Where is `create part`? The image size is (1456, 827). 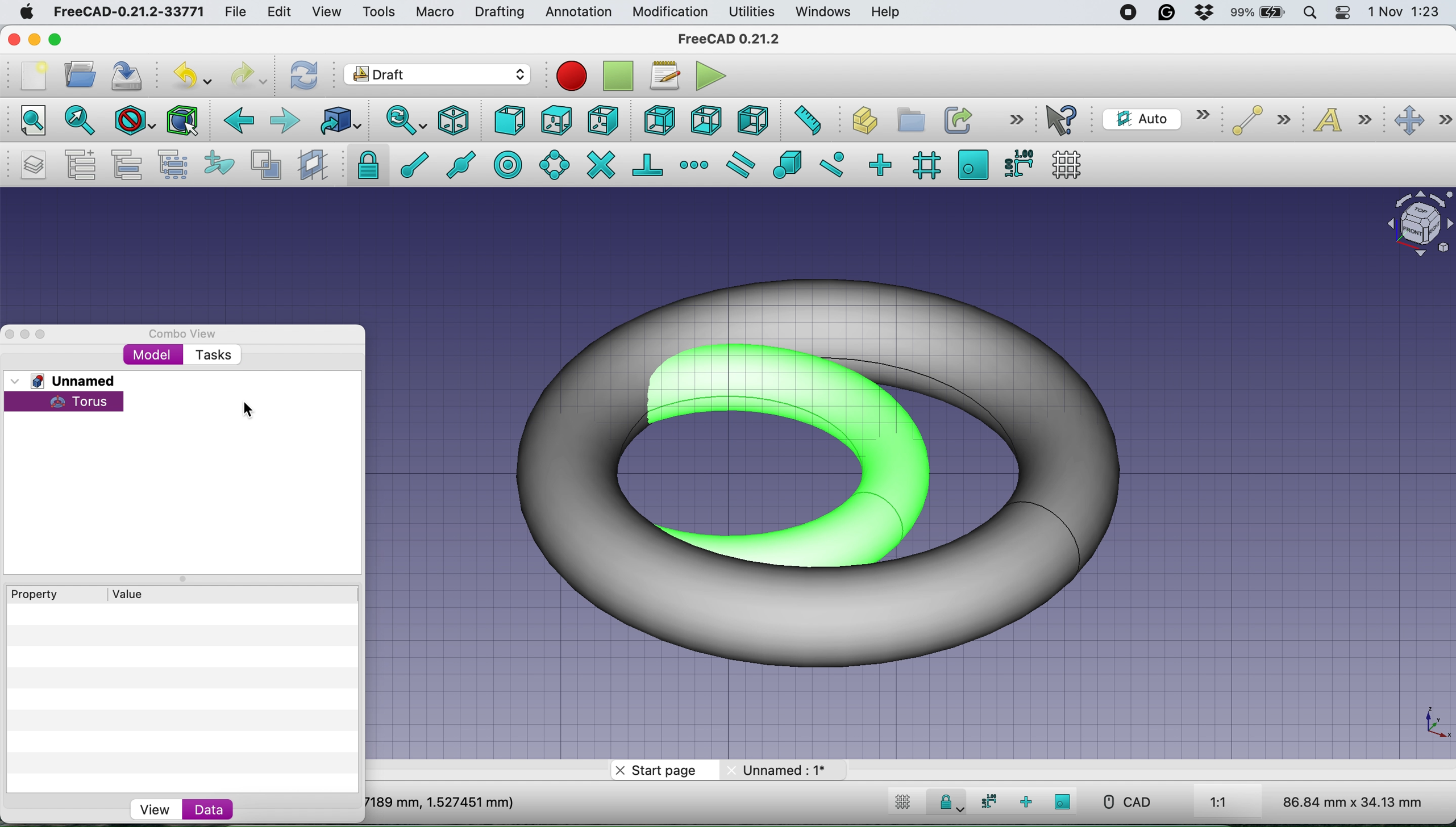
create part is located at coordinates (859, 122).